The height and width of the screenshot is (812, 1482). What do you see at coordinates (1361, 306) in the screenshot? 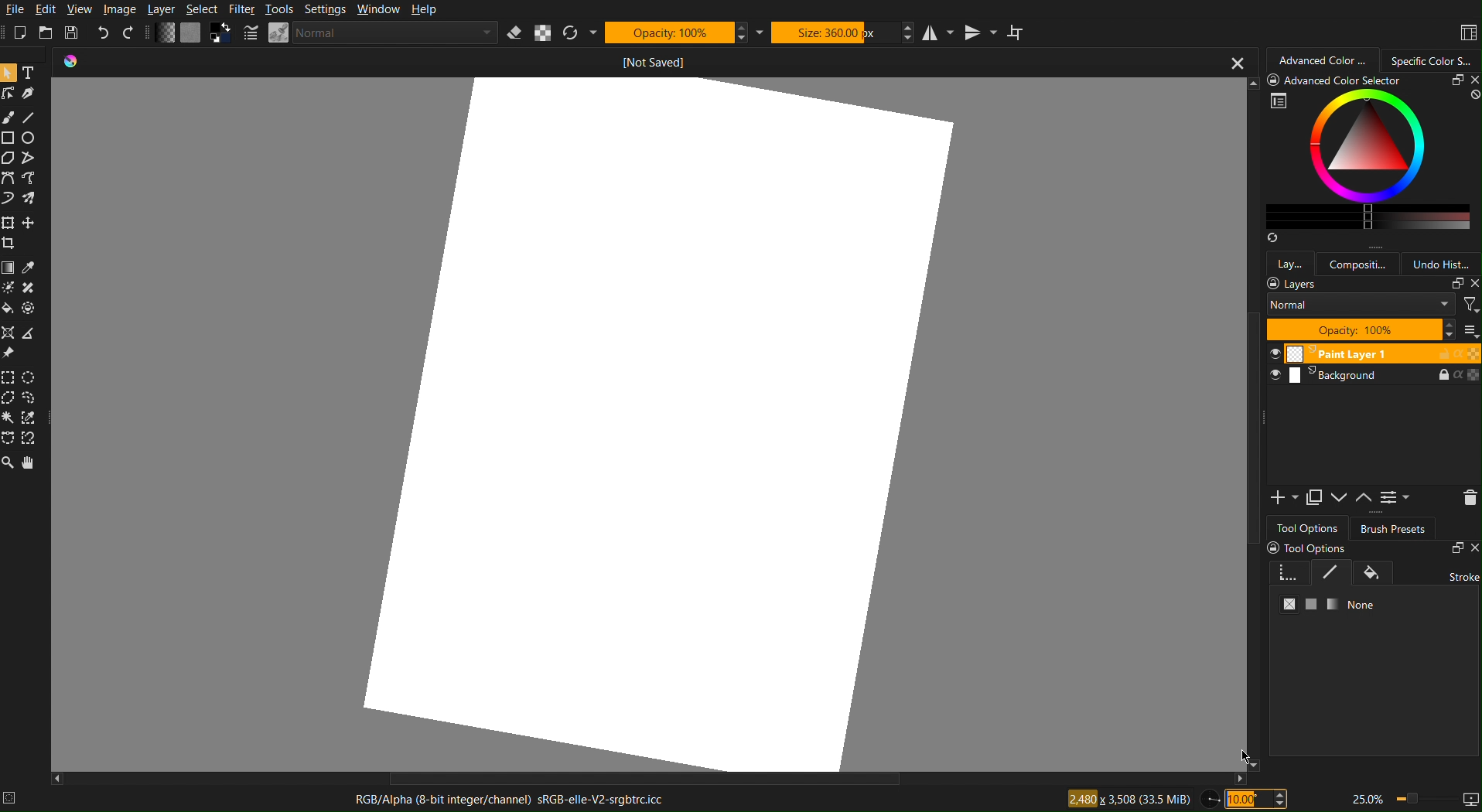
I see `normal` at bounding box center [1361, 306].